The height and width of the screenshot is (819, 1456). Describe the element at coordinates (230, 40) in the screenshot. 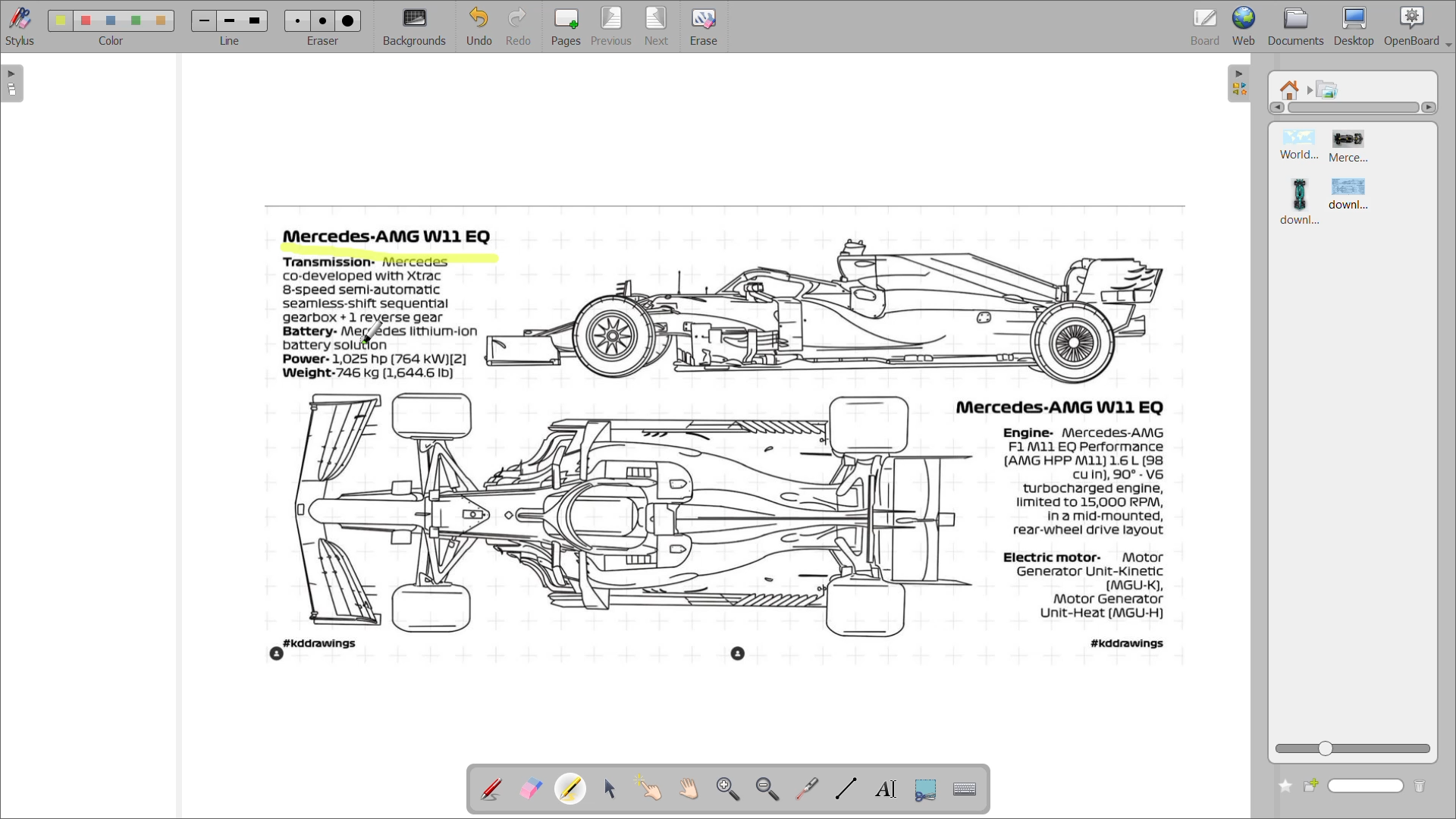

I see `line` at that location.